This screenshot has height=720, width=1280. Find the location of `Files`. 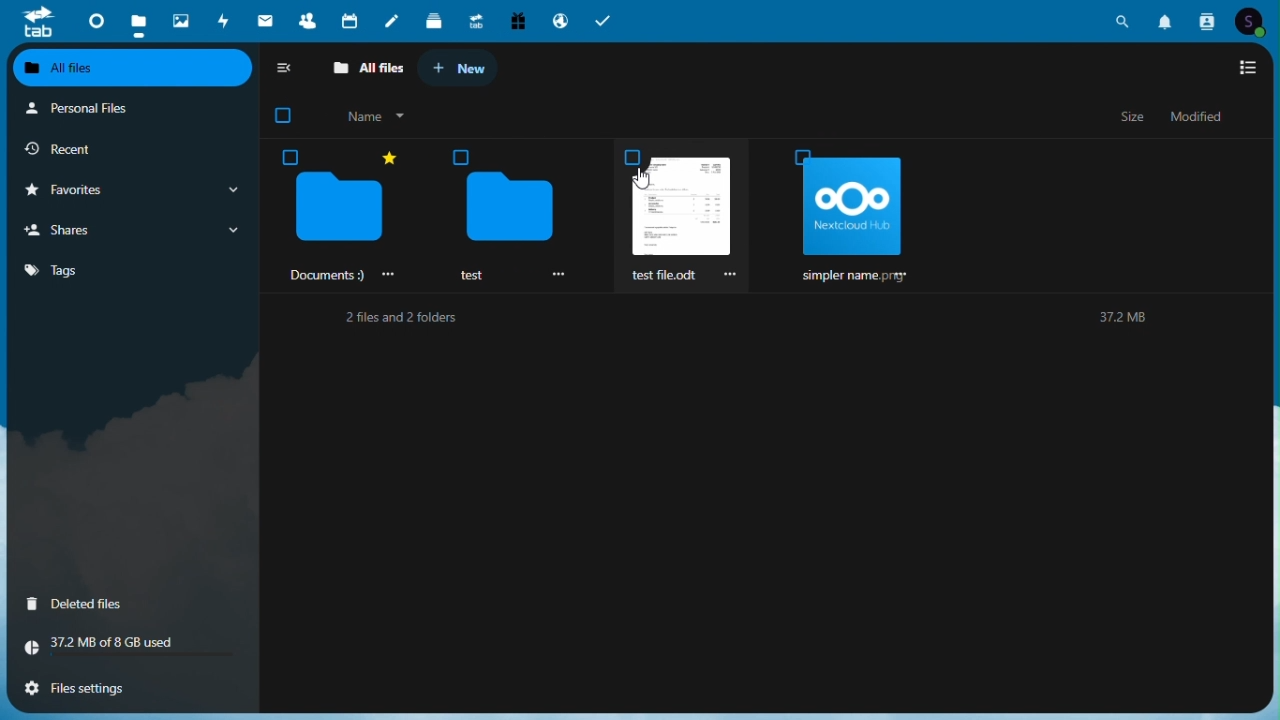

Files is located at coordinates (138, 19).